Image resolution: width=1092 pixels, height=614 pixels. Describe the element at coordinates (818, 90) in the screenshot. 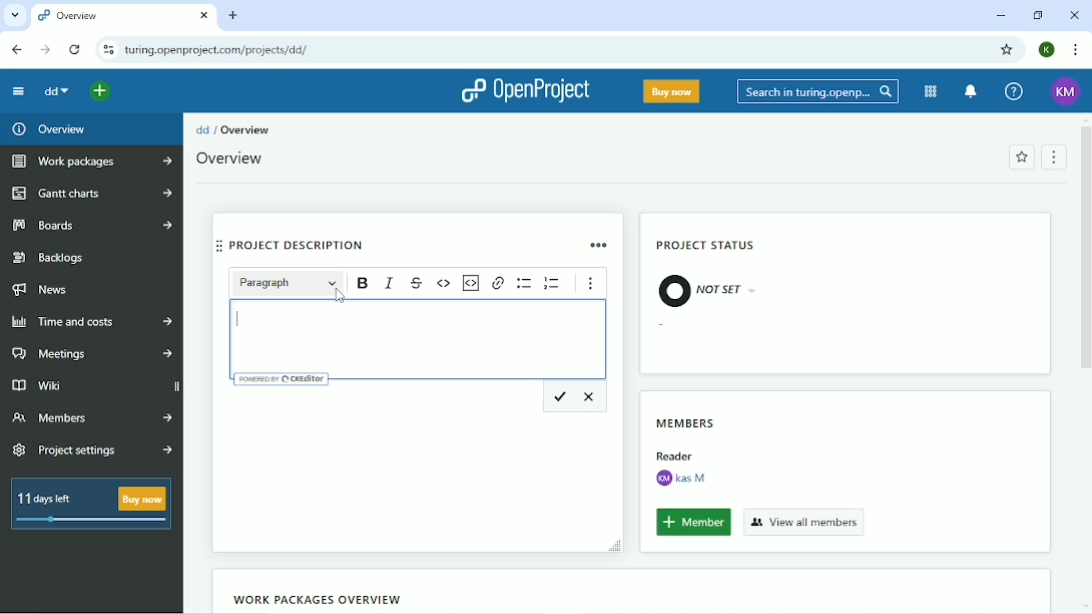

I see `Search` at that location.